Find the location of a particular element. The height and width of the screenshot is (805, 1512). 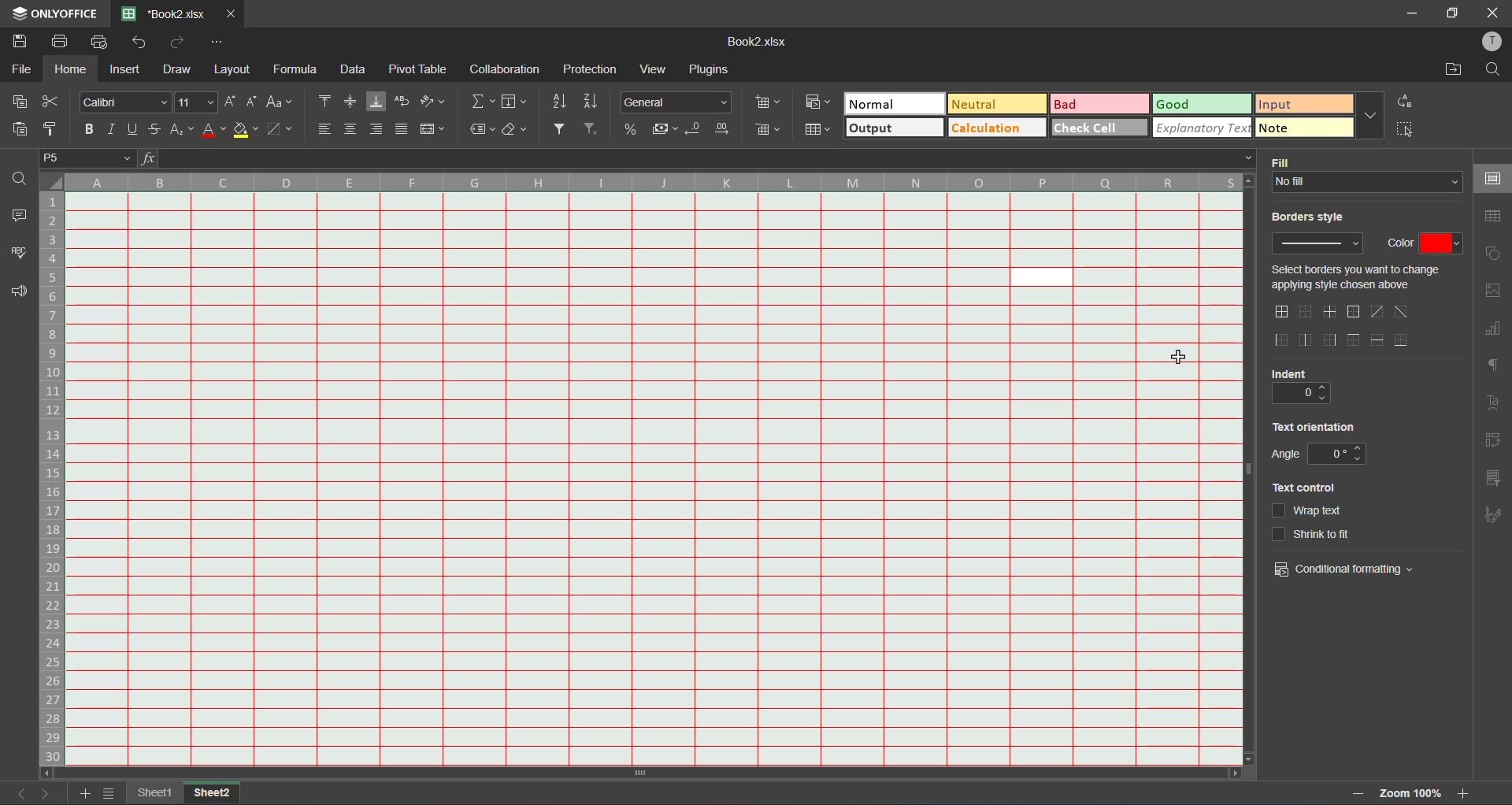

view is located at coordinates (658, 69).